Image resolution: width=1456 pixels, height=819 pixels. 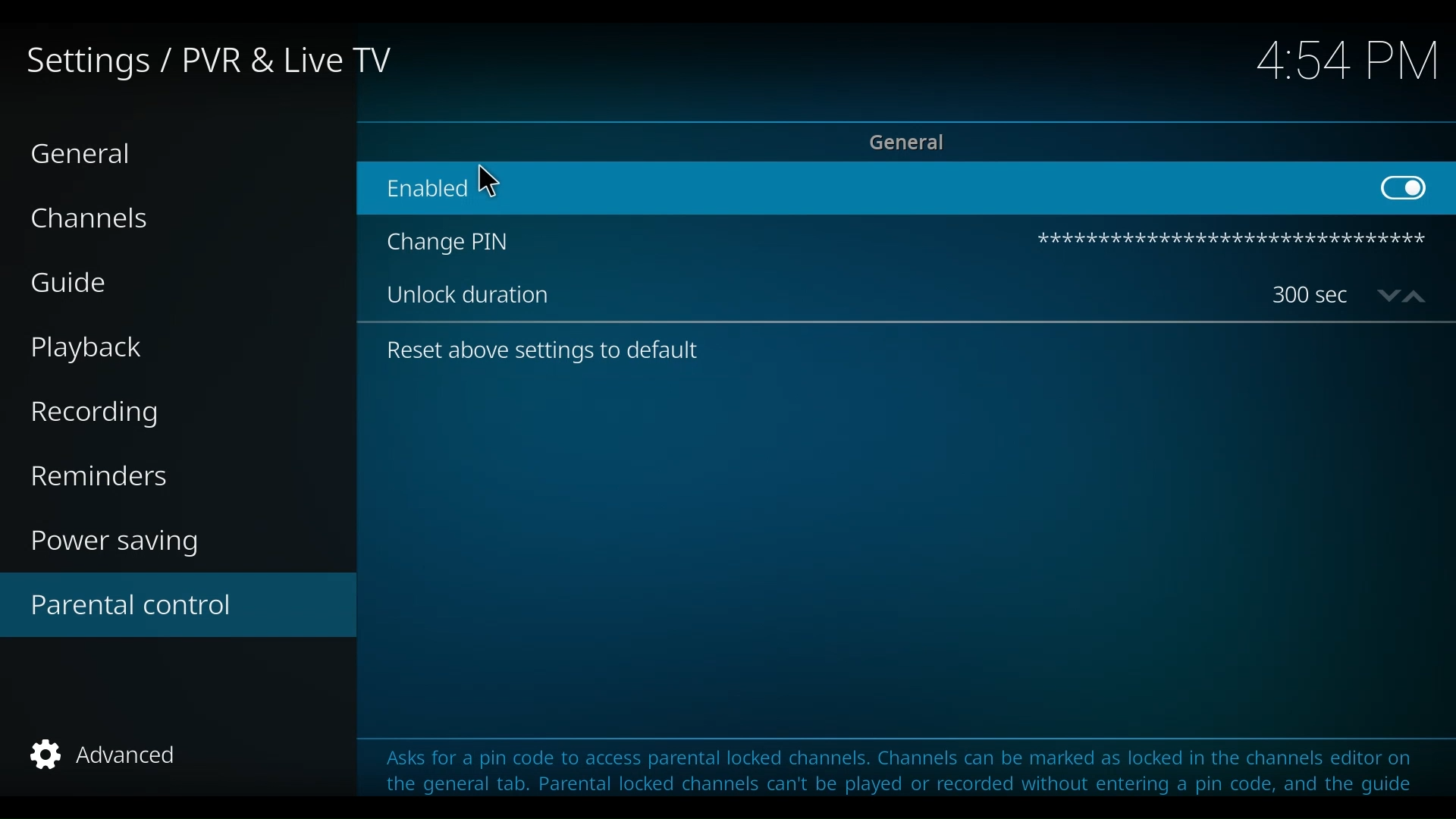 What do you see at coordinates (95, 416) in the screenshot?
I see `Recording` at bounding box center [95, 416].